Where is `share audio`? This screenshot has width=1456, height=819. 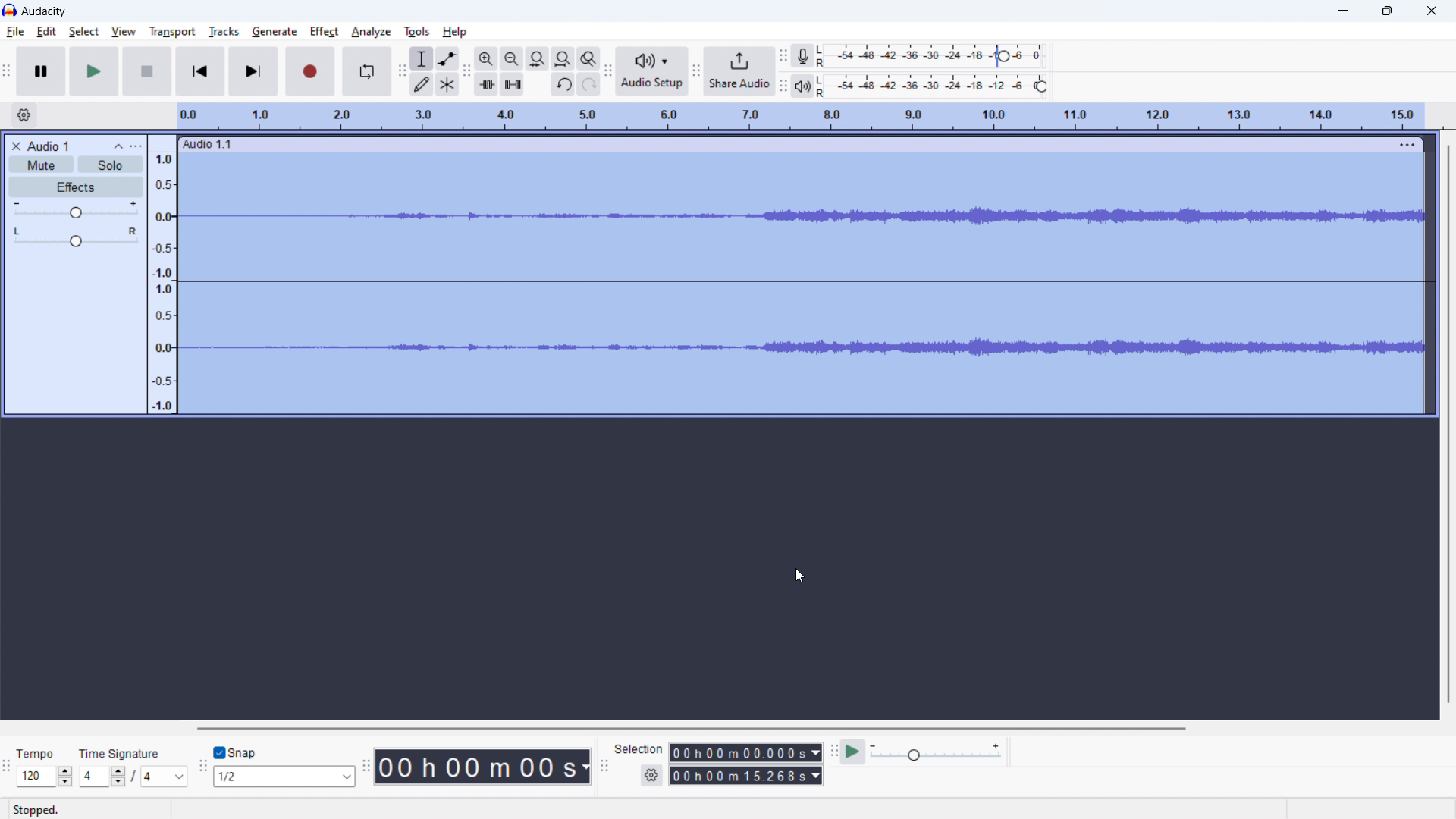
share audio is located at coordinates (739, 71).